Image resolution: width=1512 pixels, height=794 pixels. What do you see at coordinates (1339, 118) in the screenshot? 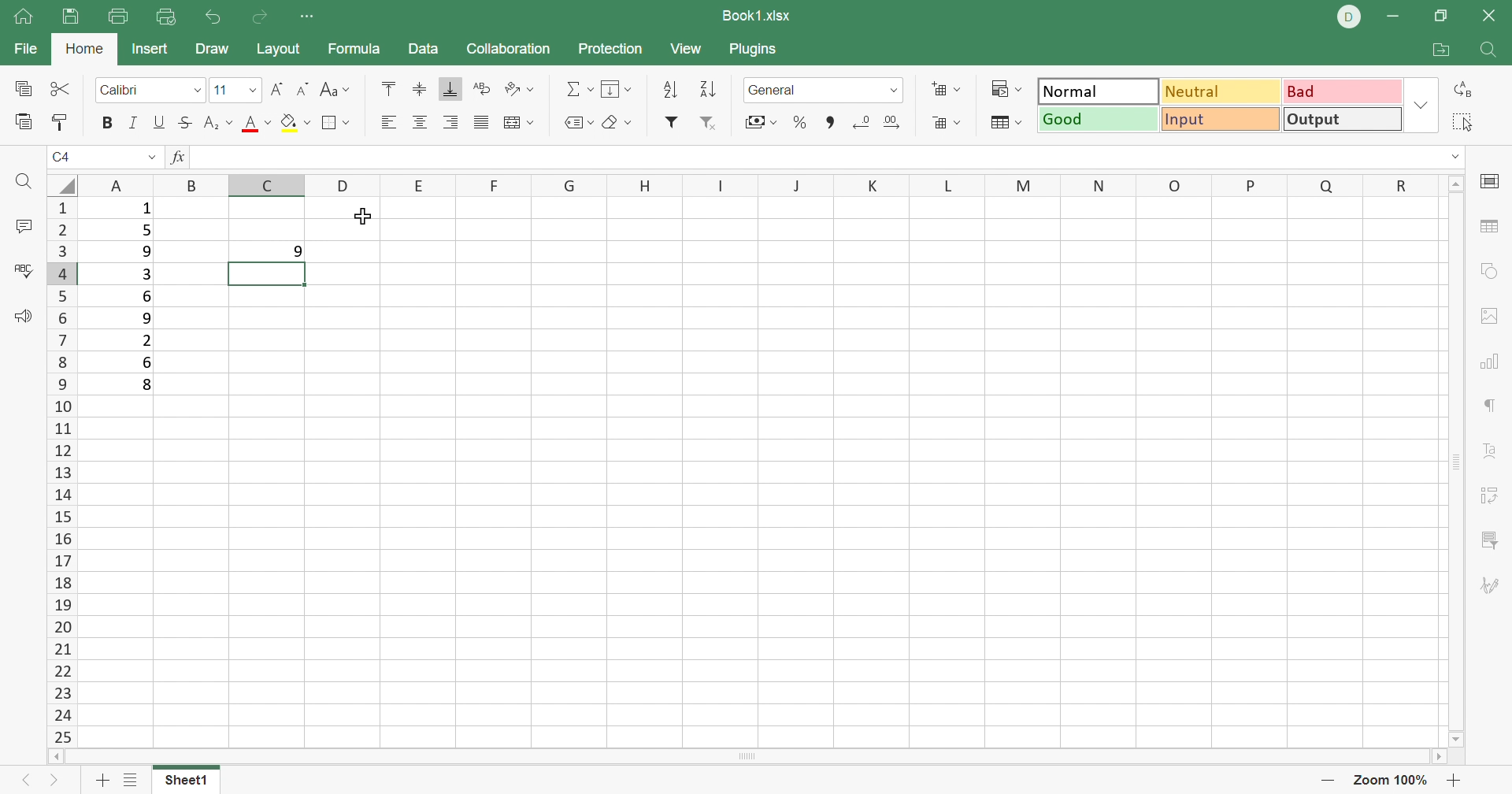
I see `Output` at bounding box center [1339, 118].